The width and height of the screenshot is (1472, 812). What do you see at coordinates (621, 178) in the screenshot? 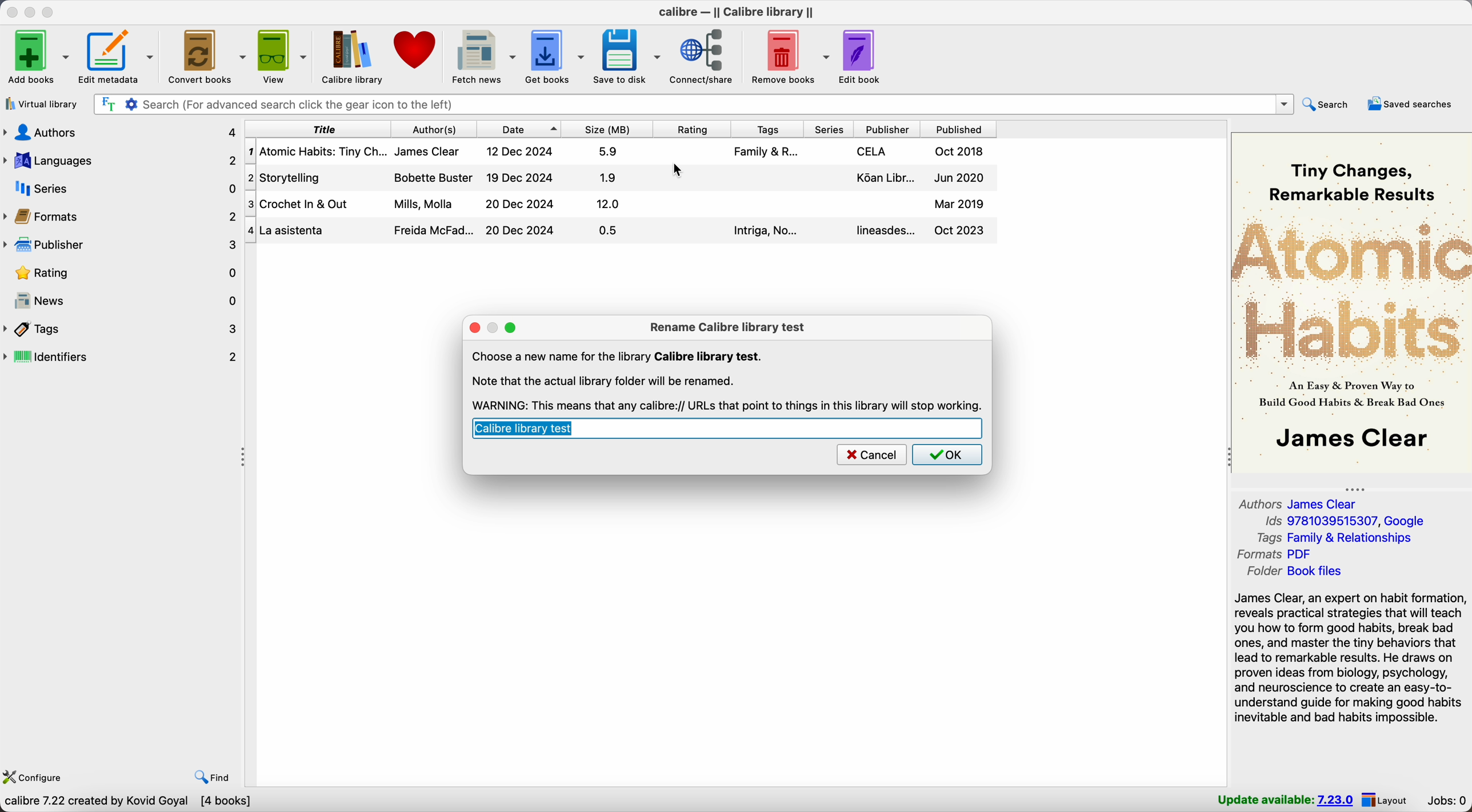
I see `Storytelling book` at bounding box center [621, 178].